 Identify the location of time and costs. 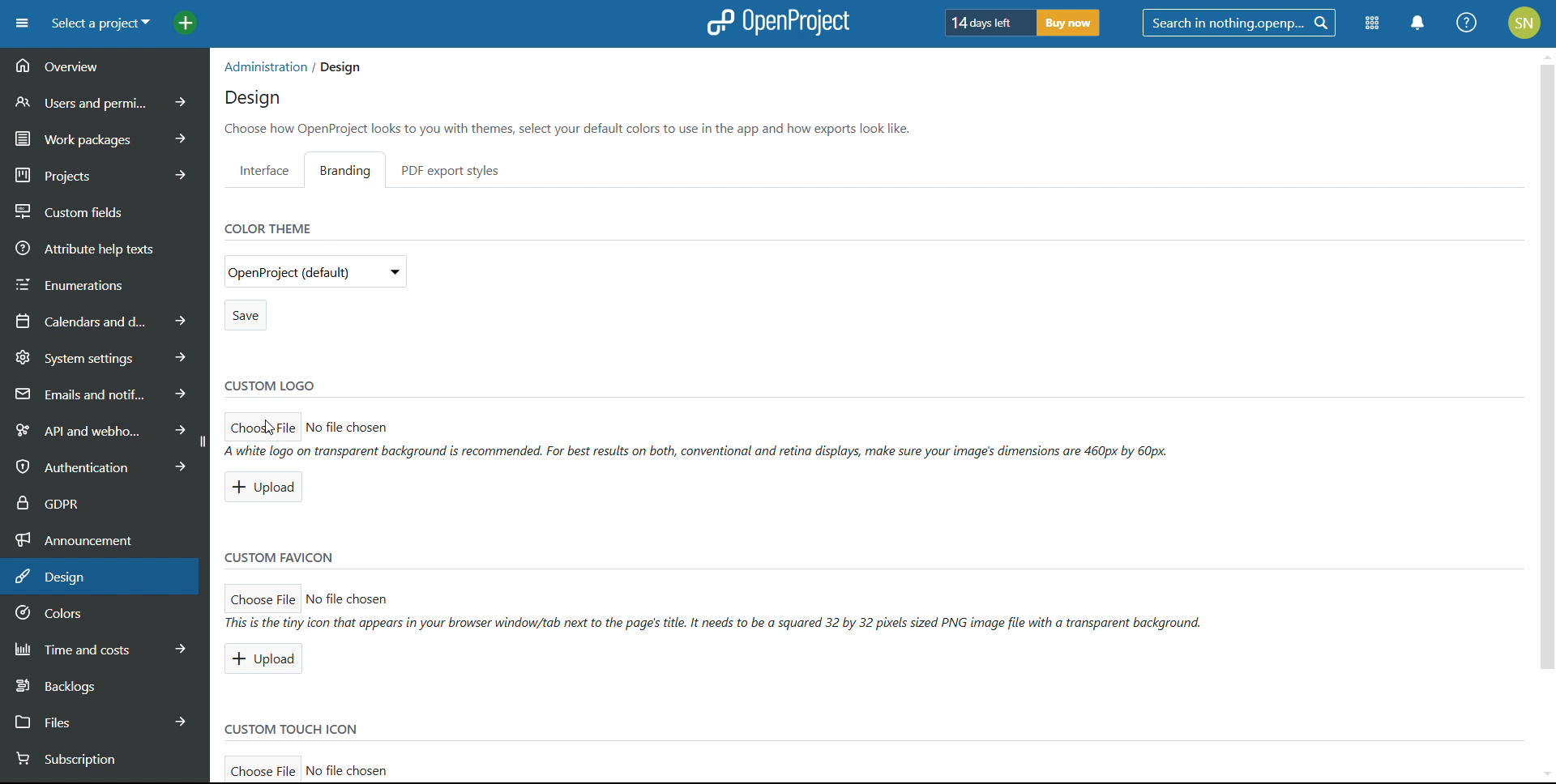
(102, 647).